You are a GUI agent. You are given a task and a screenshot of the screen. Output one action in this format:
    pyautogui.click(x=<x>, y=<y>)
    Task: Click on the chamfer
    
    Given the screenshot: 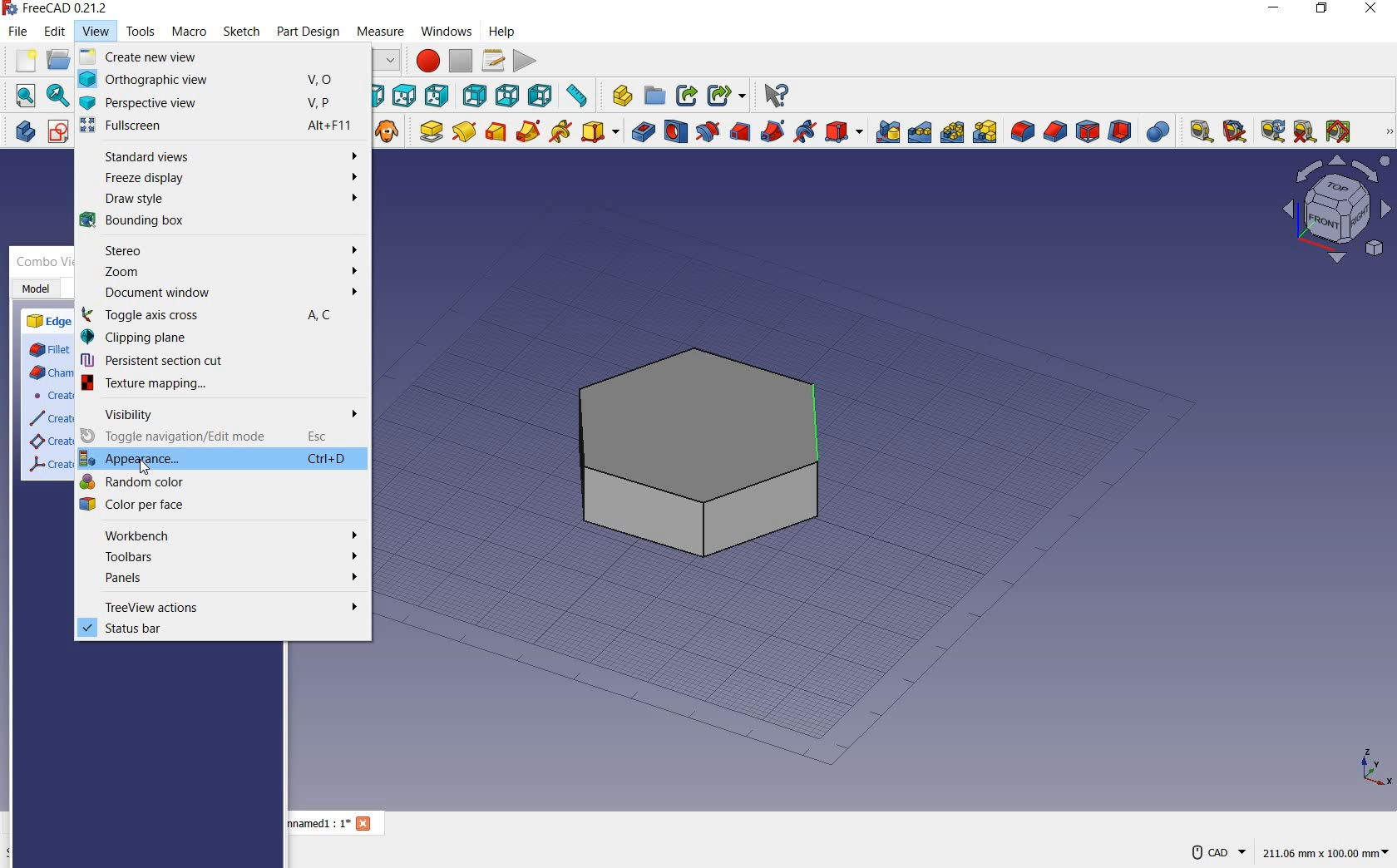 What is the action you would take?
    pyautogui.click(x=1055, y=133)
    